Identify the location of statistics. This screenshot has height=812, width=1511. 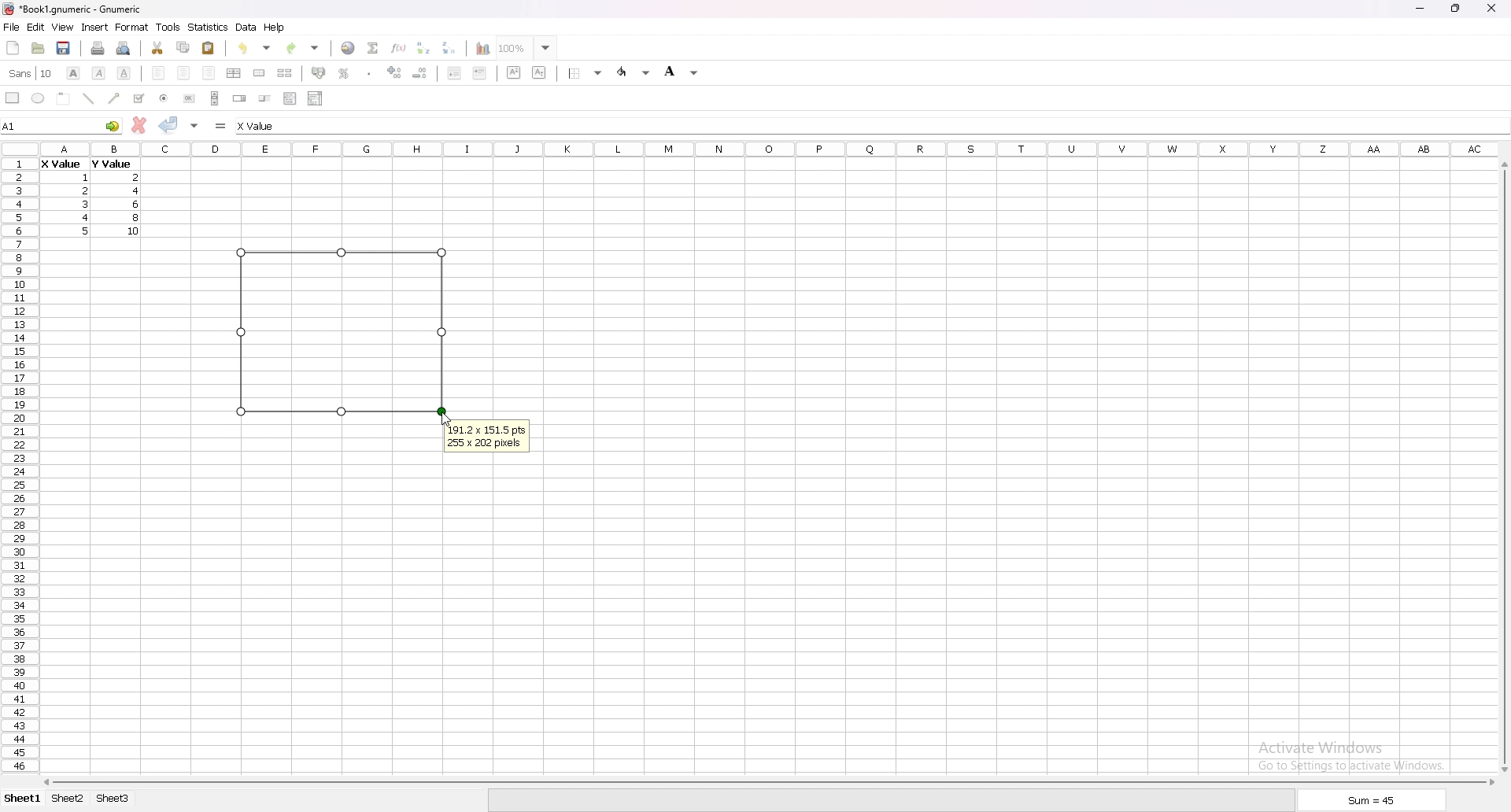
(209, 27).